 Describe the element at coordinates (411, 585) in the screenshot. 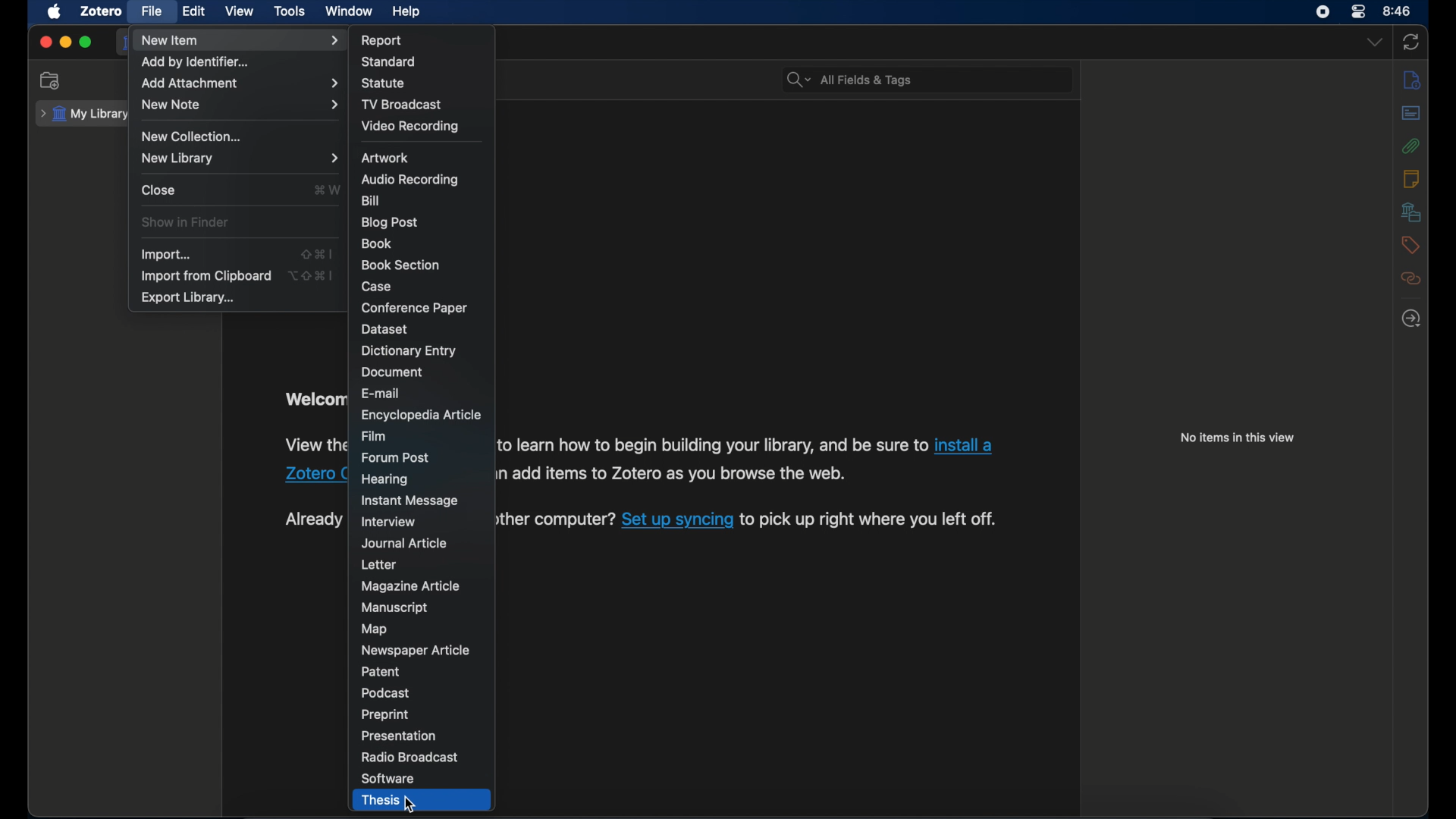

I see `magazine article` at that location.